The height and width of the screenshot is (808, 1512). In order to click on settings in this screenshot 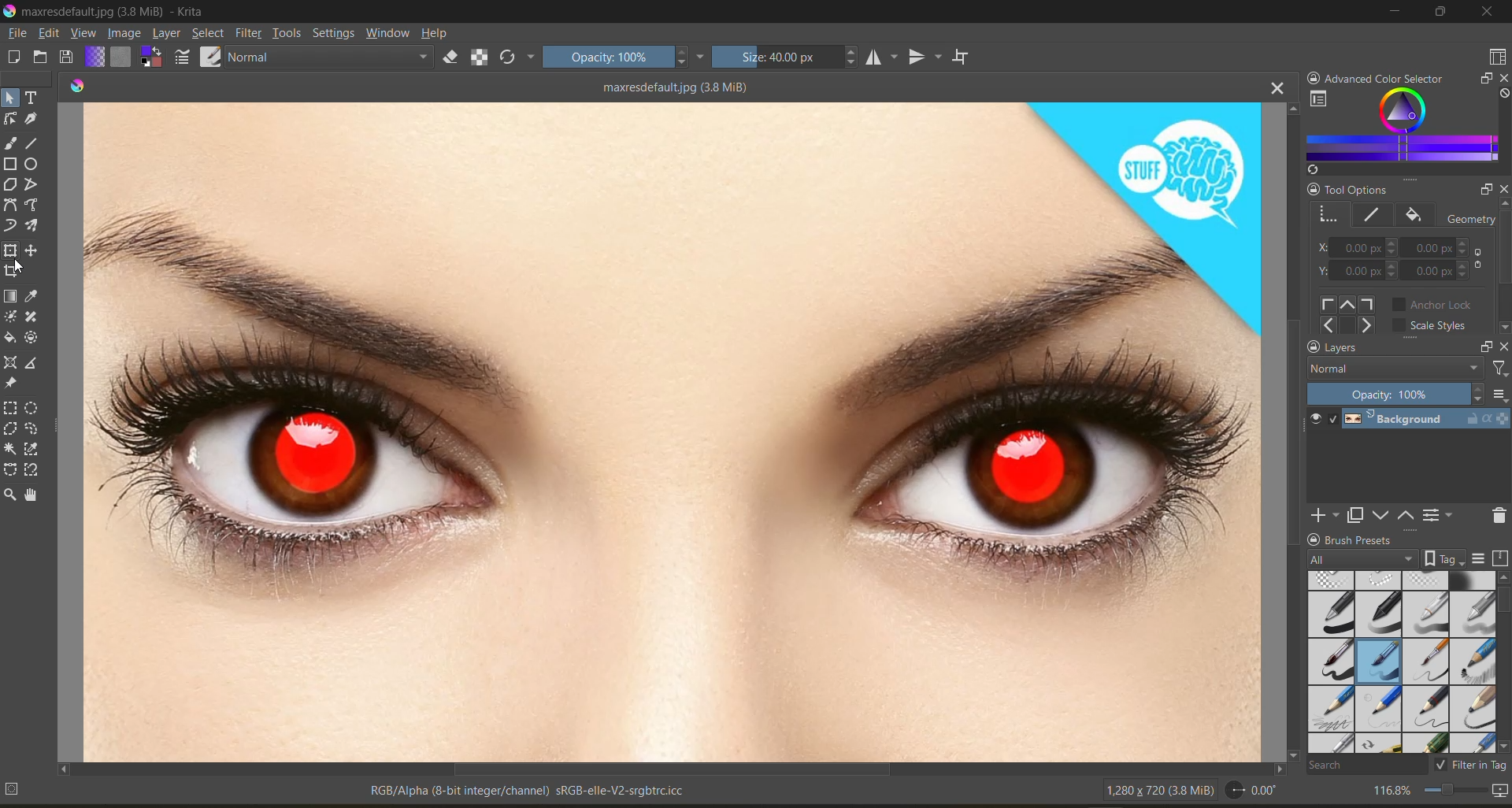, I will do `click(336, 35)`.